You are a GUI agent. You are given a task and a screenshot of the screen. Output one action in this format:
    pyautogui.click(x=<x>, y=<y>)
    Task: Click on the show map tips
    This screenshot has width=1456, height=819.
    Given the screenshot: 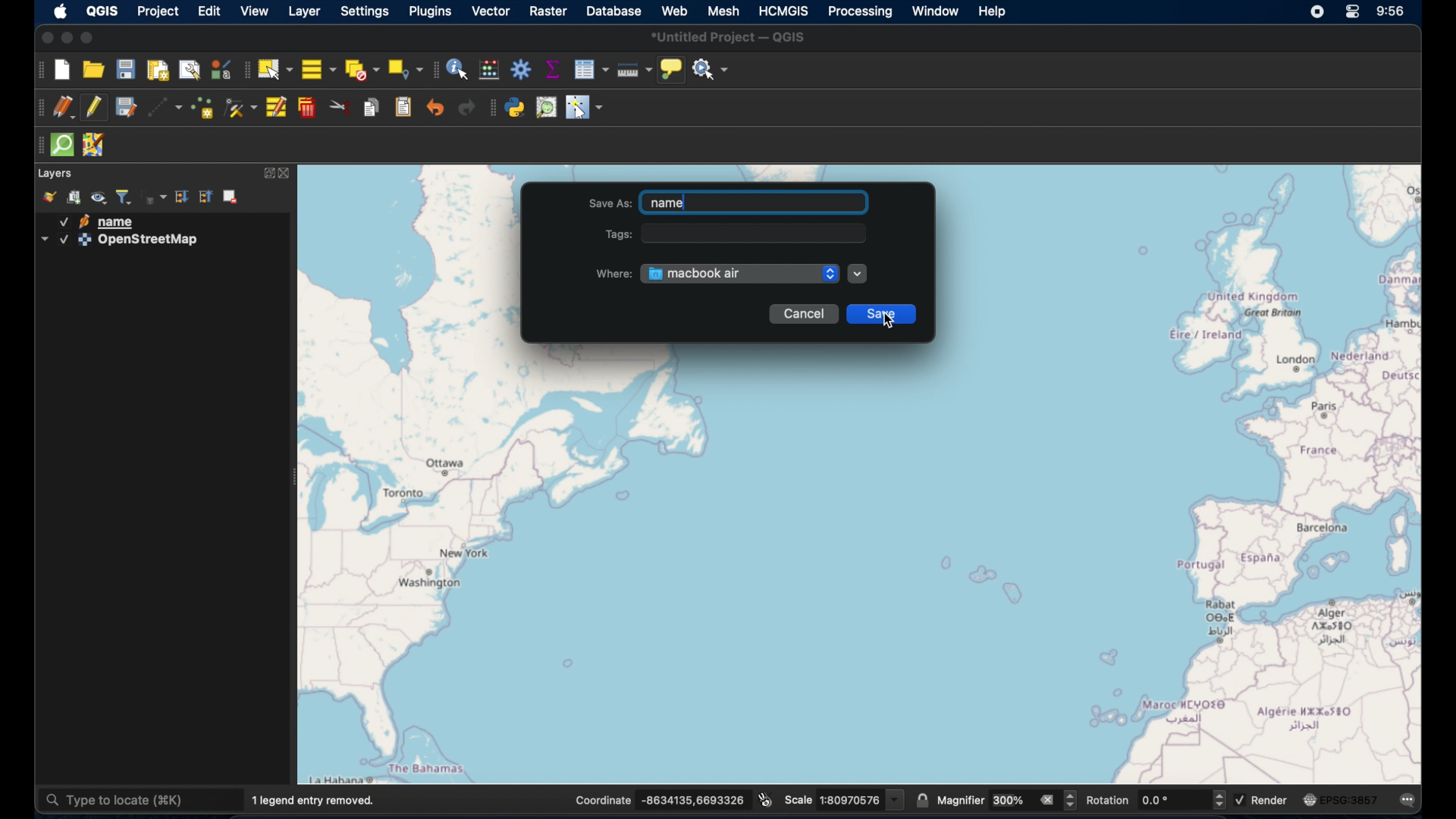 What is the action you would take?
    pyautogui.click(x=673, y=70)
    